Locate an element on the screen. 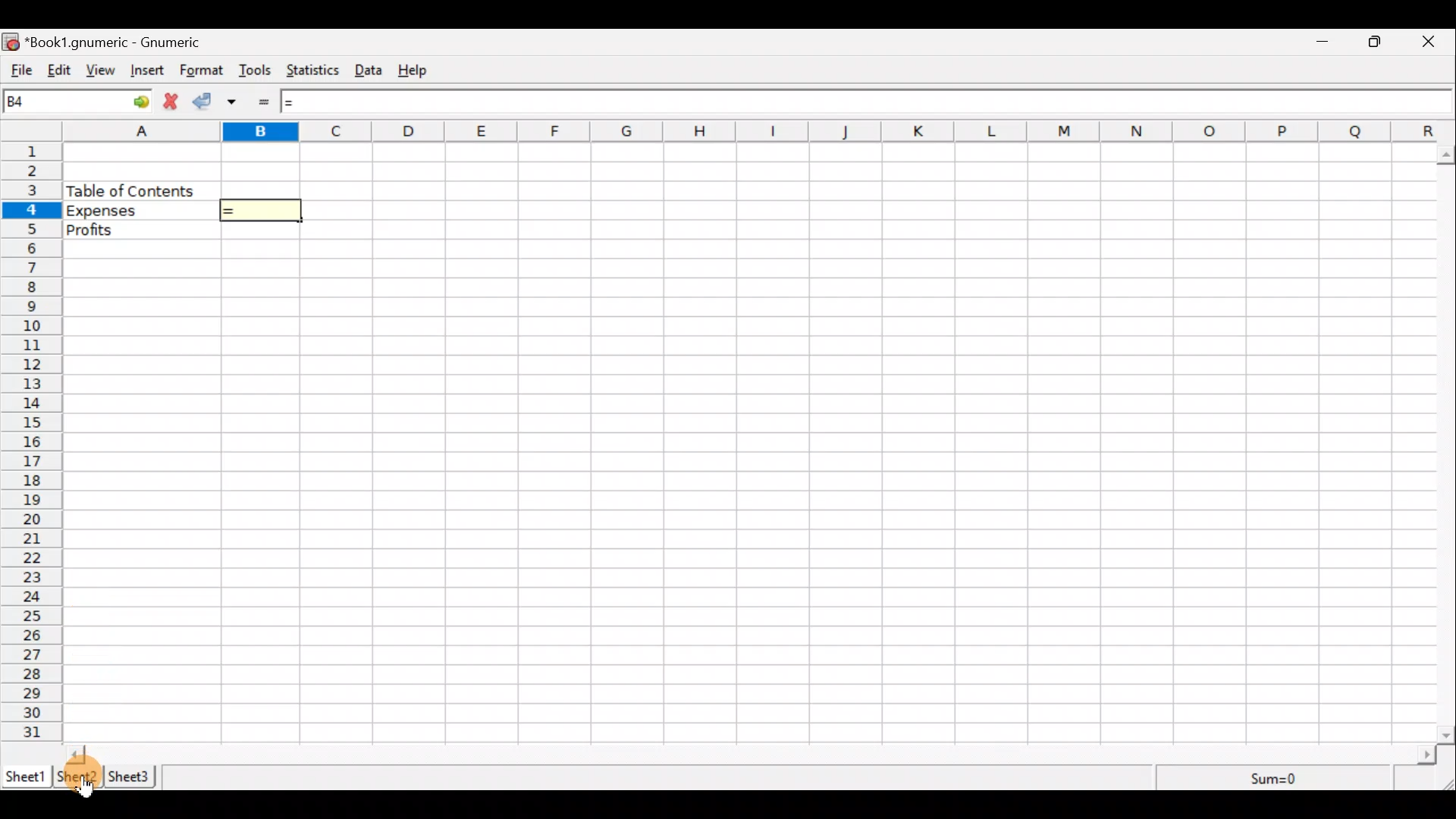 This screenshot has width=1456, height=819. scroll left is located at coordinates (75, 754).